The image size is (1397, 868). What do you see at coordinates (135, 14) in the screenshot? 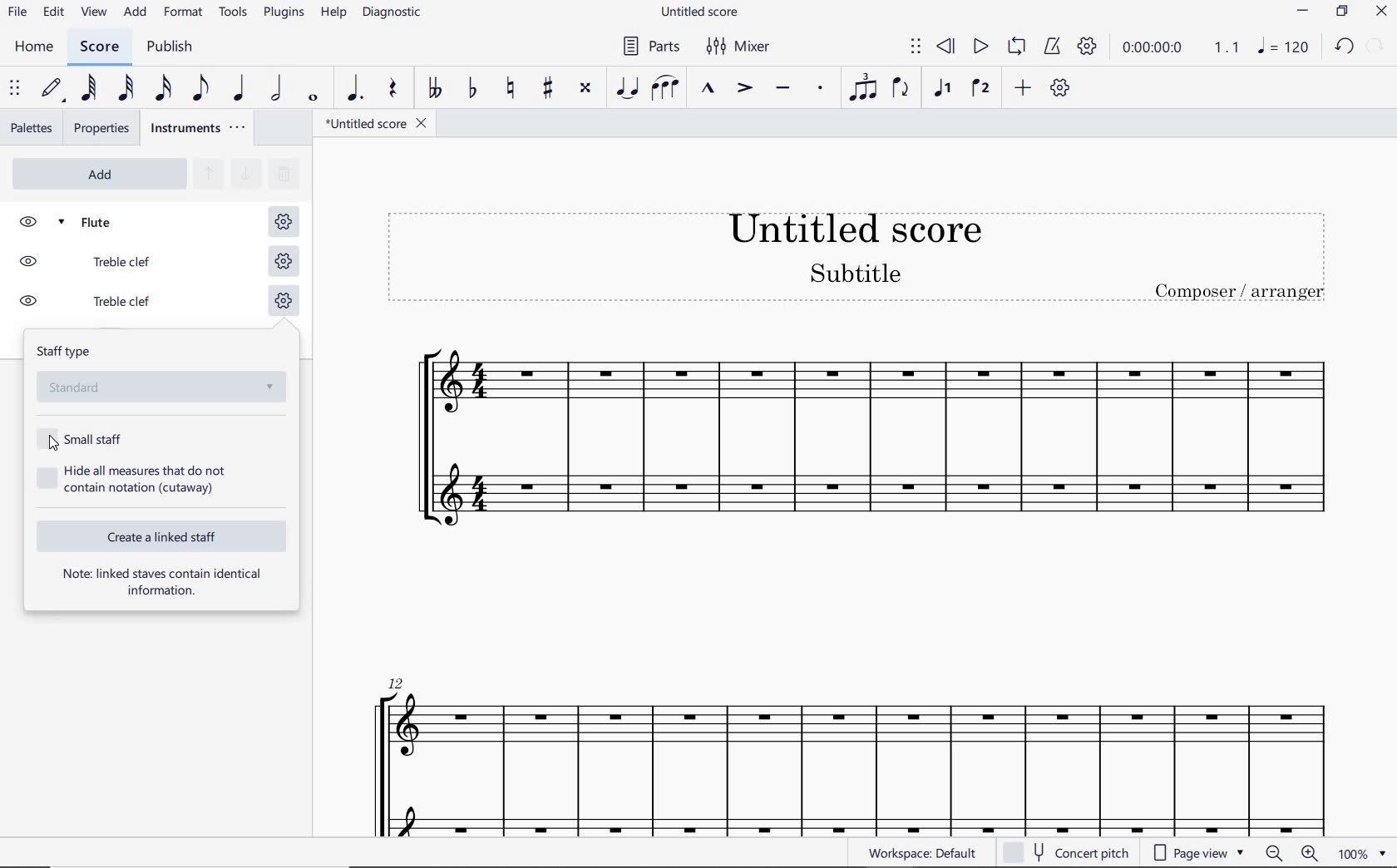
I see `ADD` at bounding box center [135, 14].